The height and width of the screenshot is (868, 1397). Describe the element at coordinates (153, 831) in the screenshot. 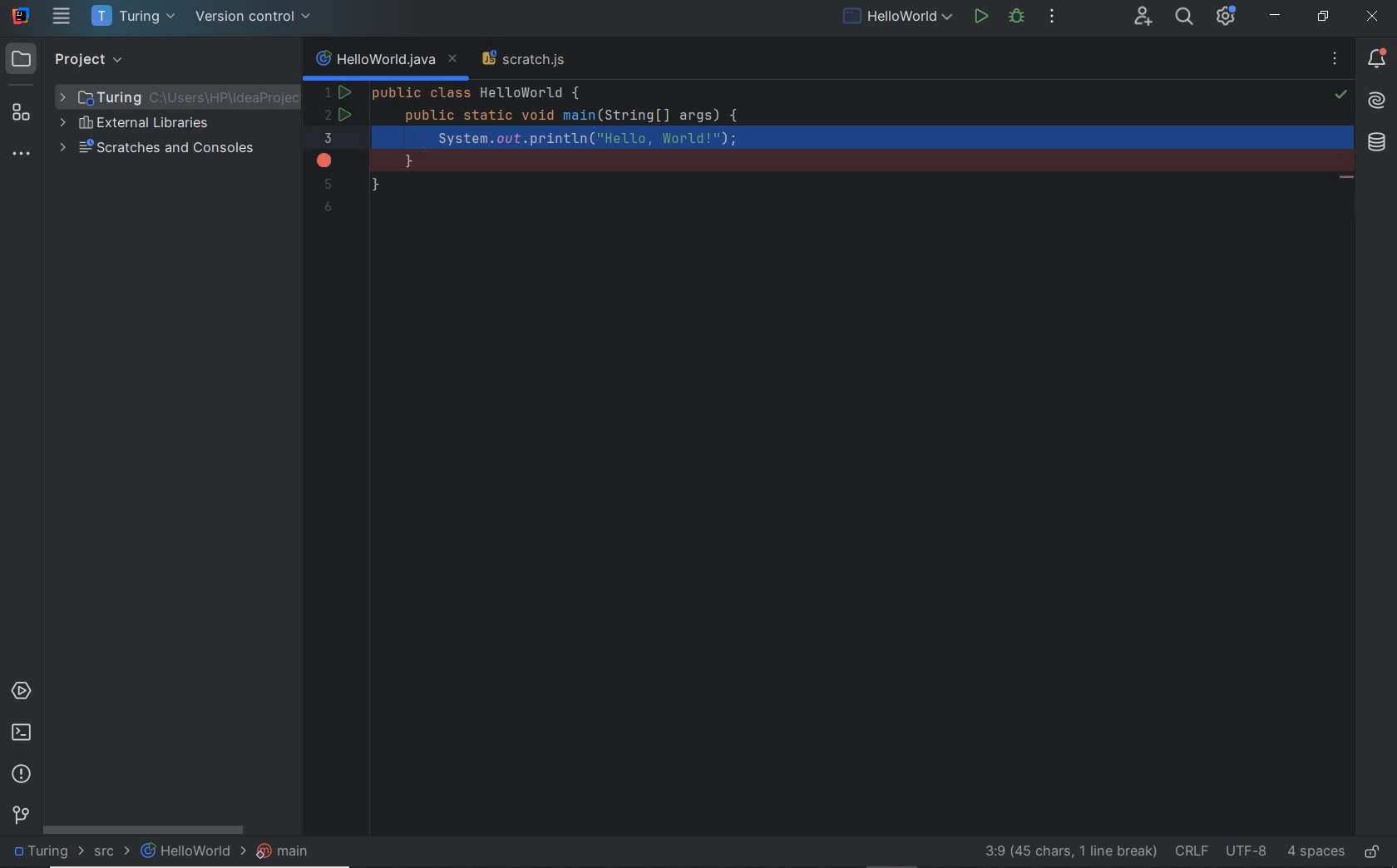

I see `scrollbar` at that location.